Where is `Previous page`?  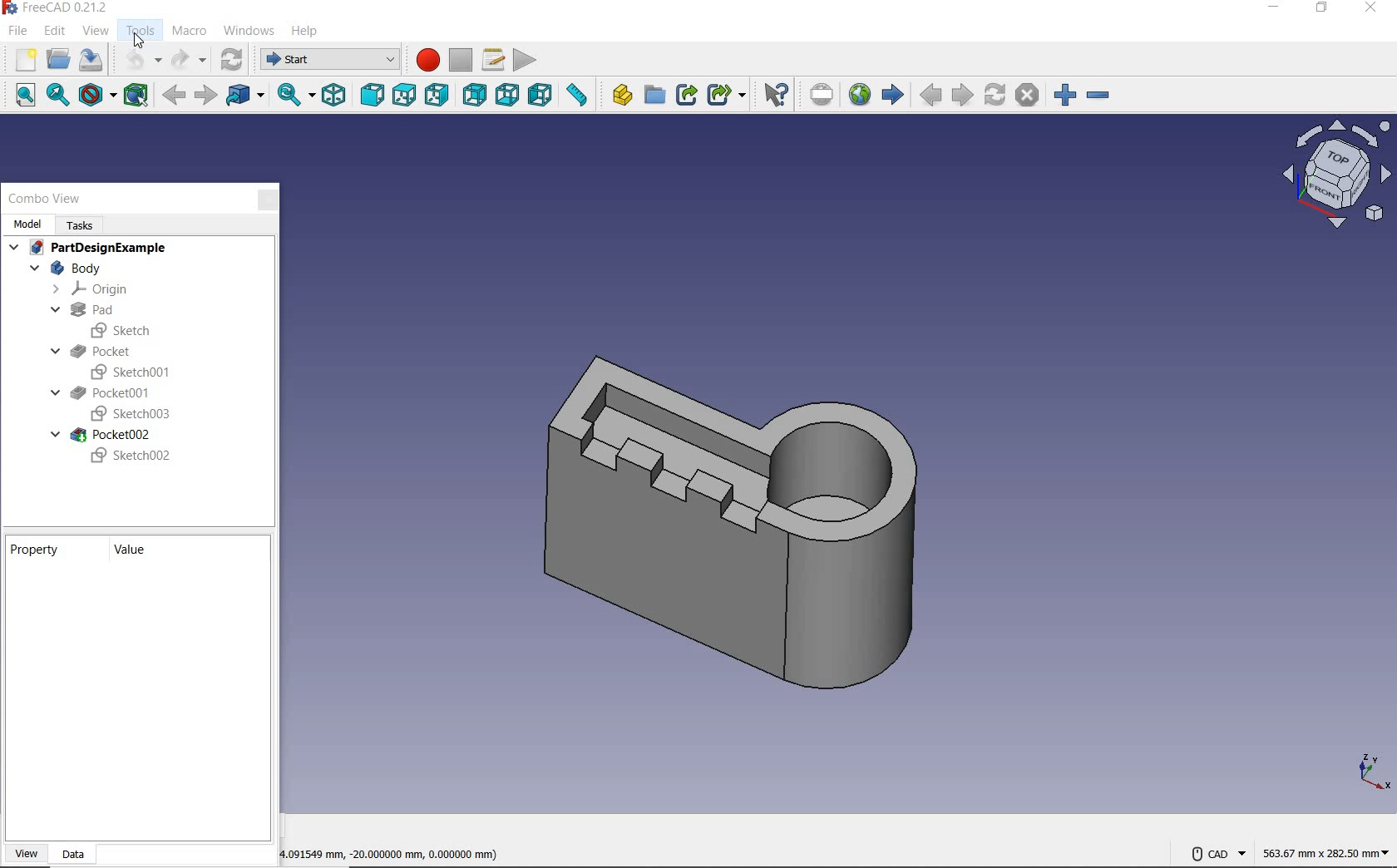
Previous page is located at coordinates (926, 94).